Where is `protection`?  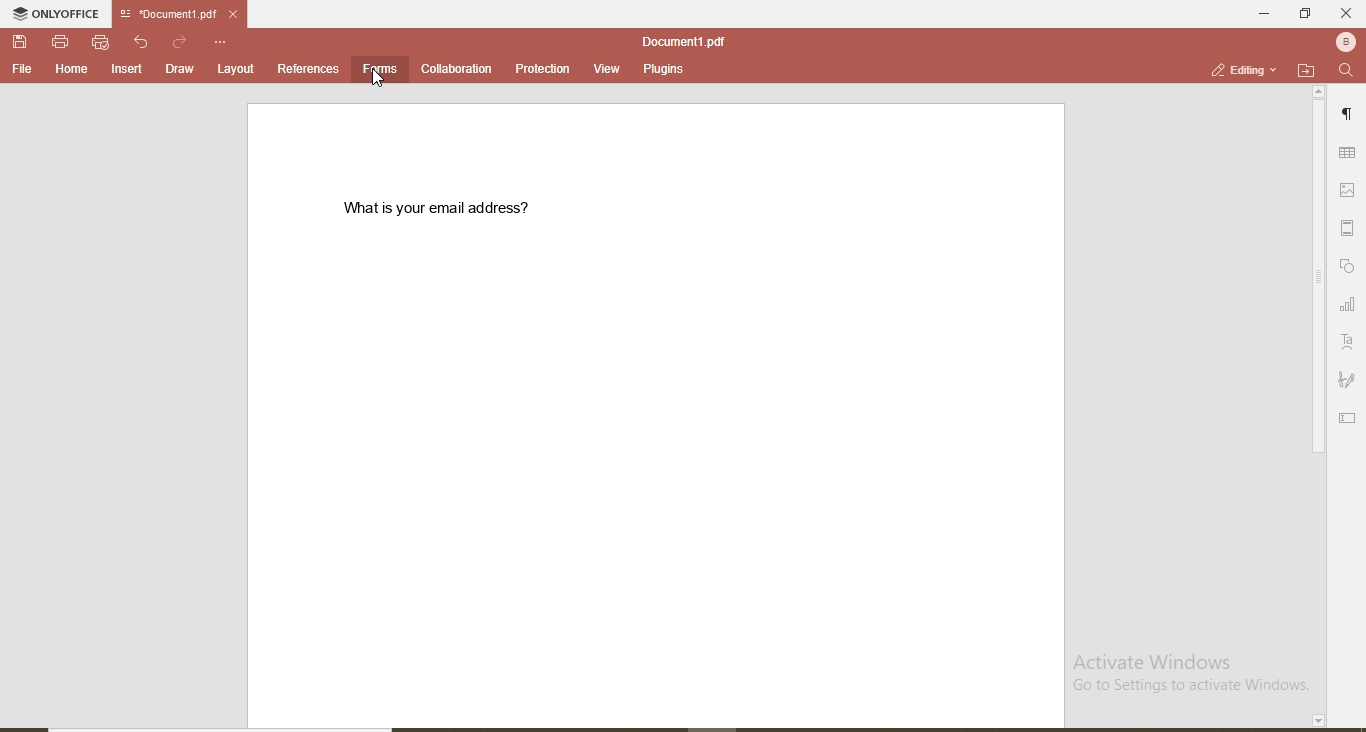
protection is located at coordinates (540, 69).